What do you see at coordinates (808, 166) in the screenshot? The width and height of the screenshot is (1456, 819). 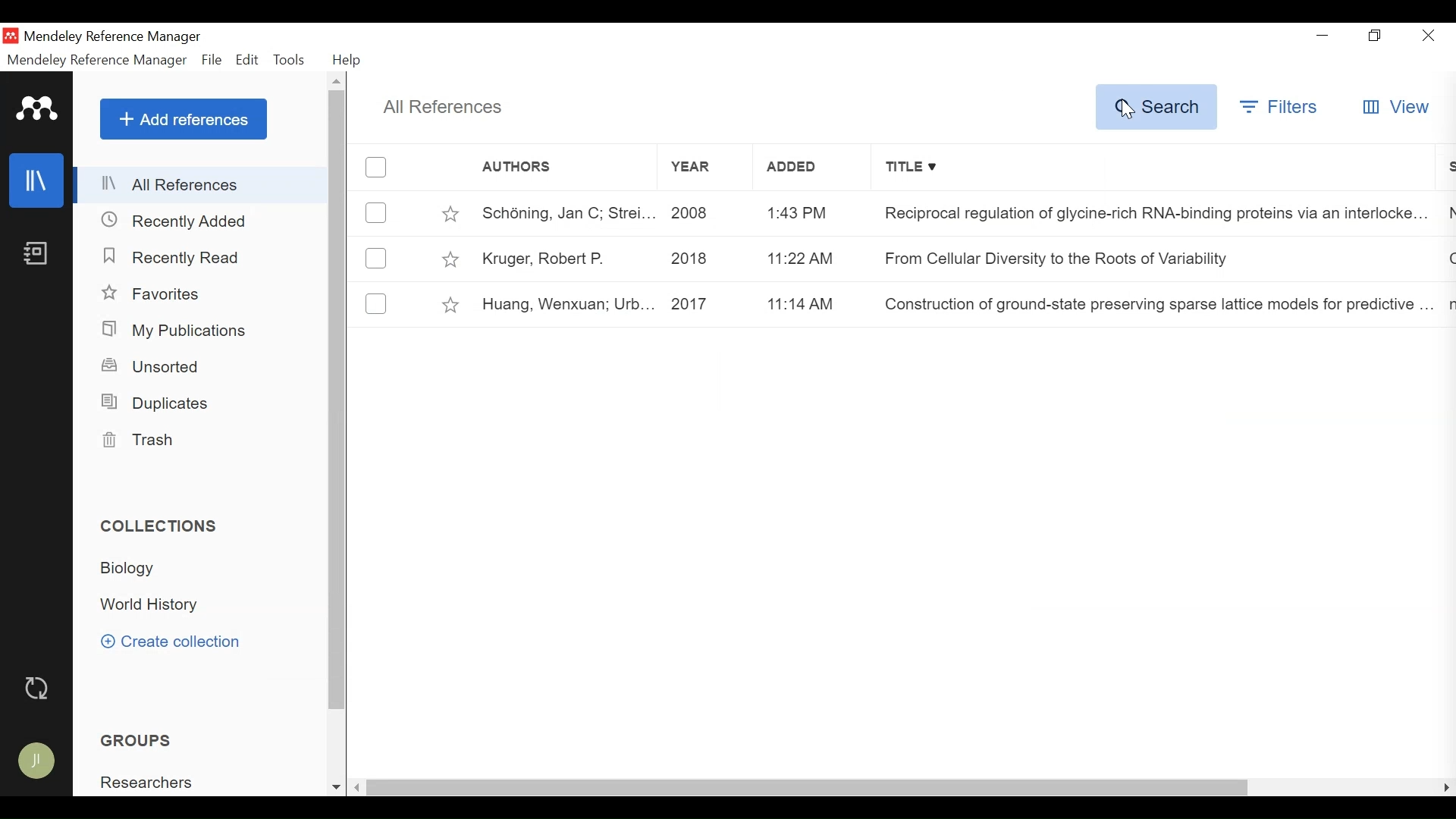 I see `Added` at bounding box center [808, 166].